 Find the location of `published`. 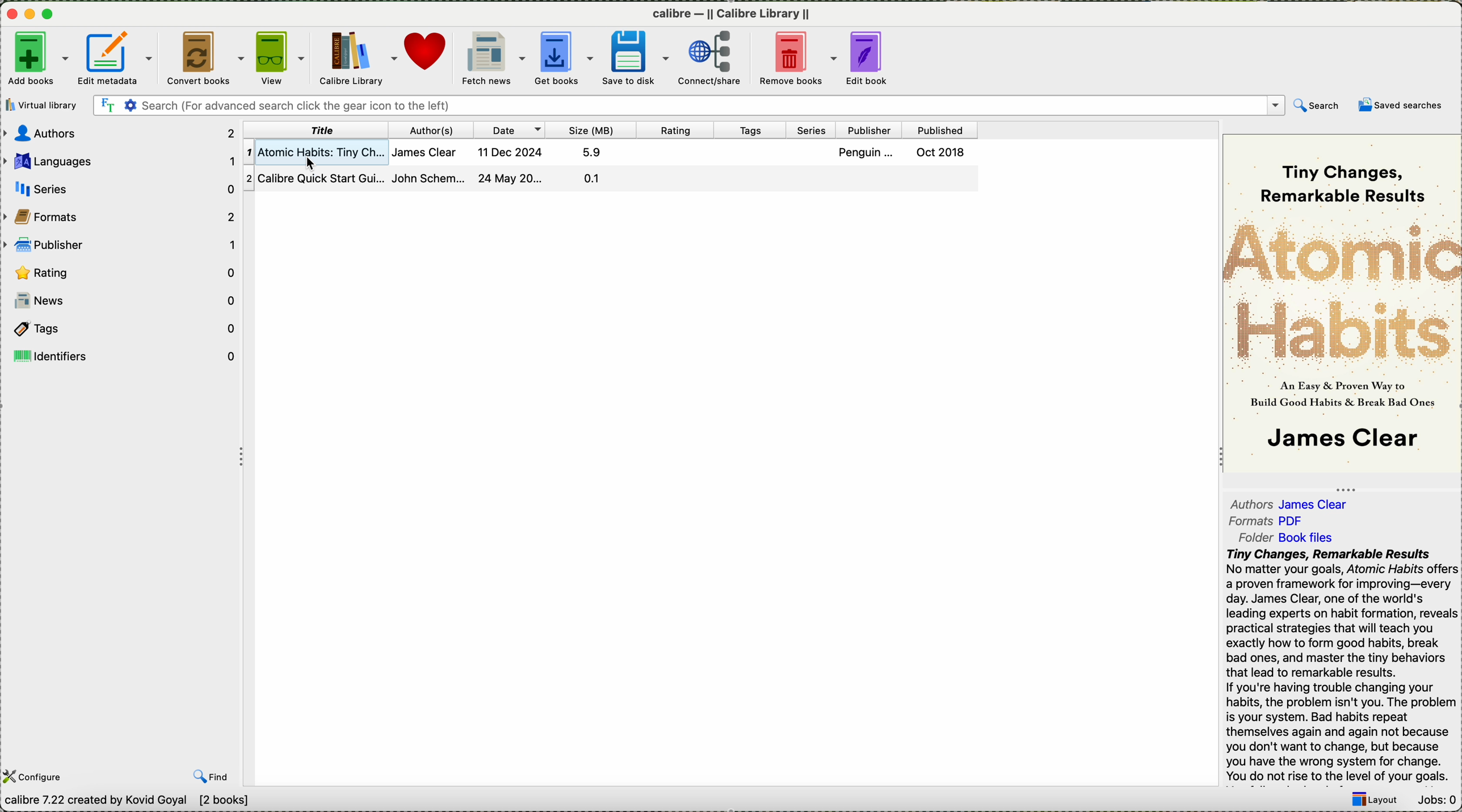

published is located at coordinates (941, 130).